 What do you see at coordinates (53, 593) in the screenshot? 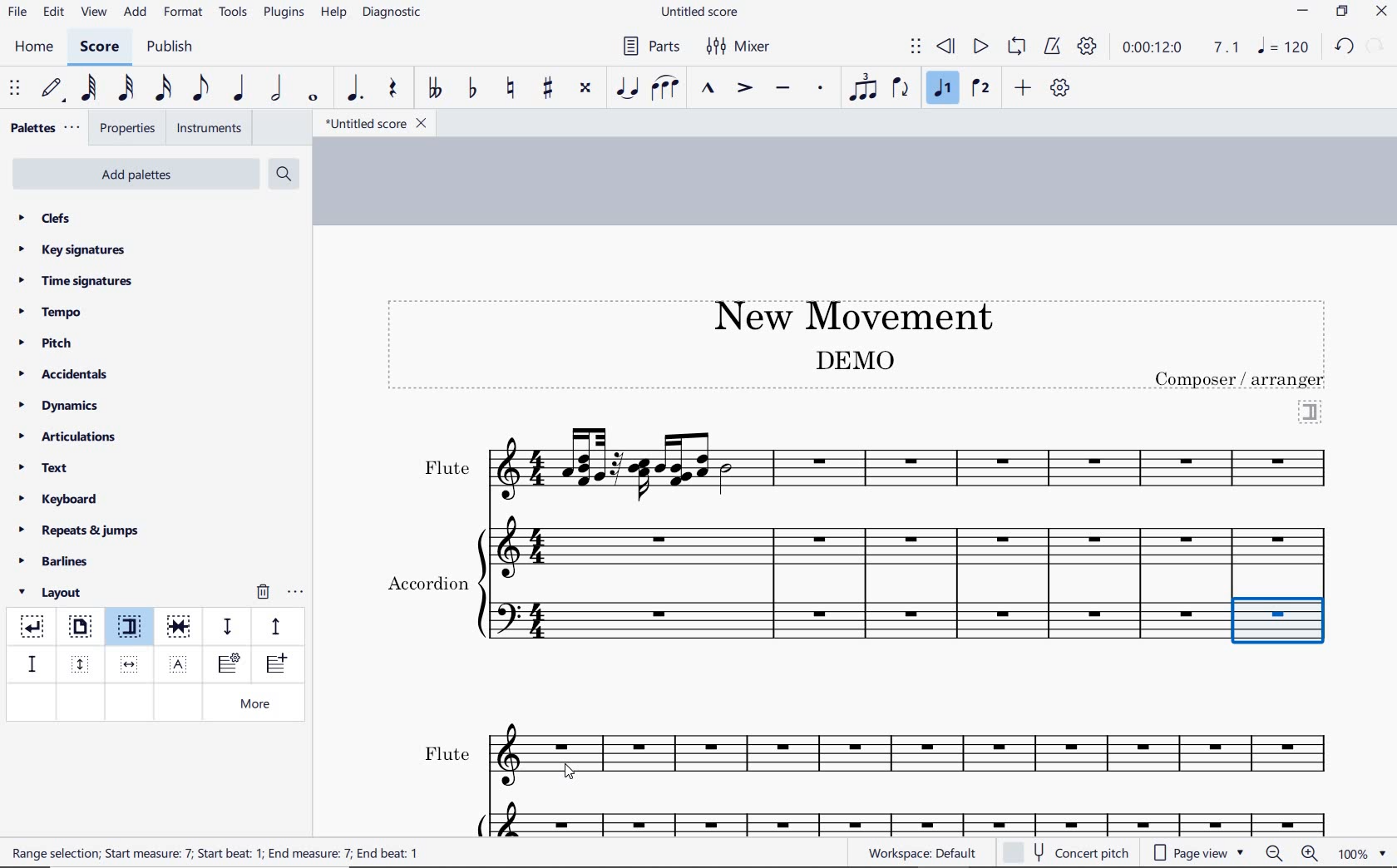
I see `layout` at bounding box center [53, 593].